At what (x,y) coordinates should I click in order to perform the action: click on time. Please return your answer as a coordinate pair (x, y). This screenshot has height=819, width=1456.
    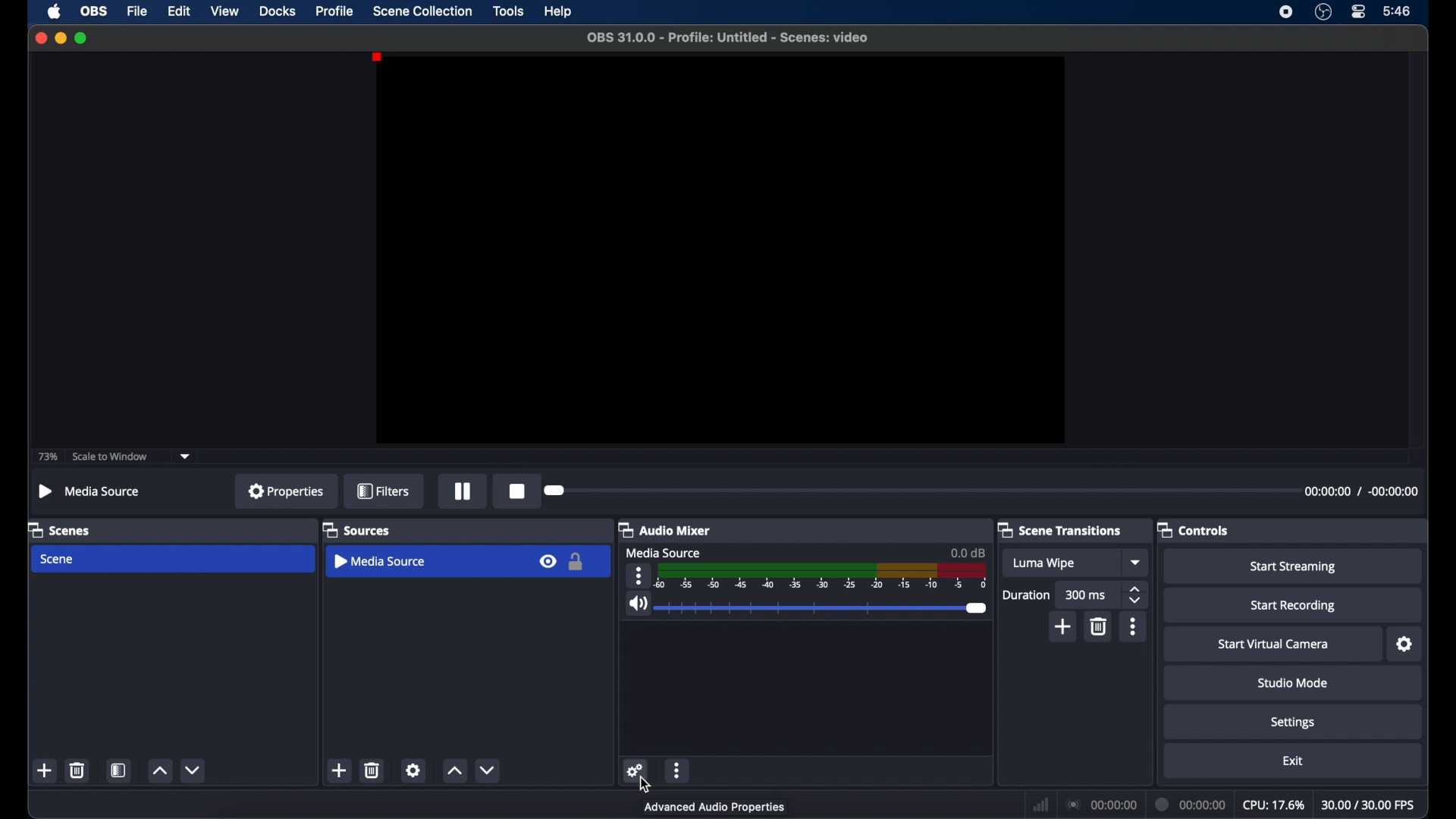
    Looking at the image, I should click on (1396, 10).